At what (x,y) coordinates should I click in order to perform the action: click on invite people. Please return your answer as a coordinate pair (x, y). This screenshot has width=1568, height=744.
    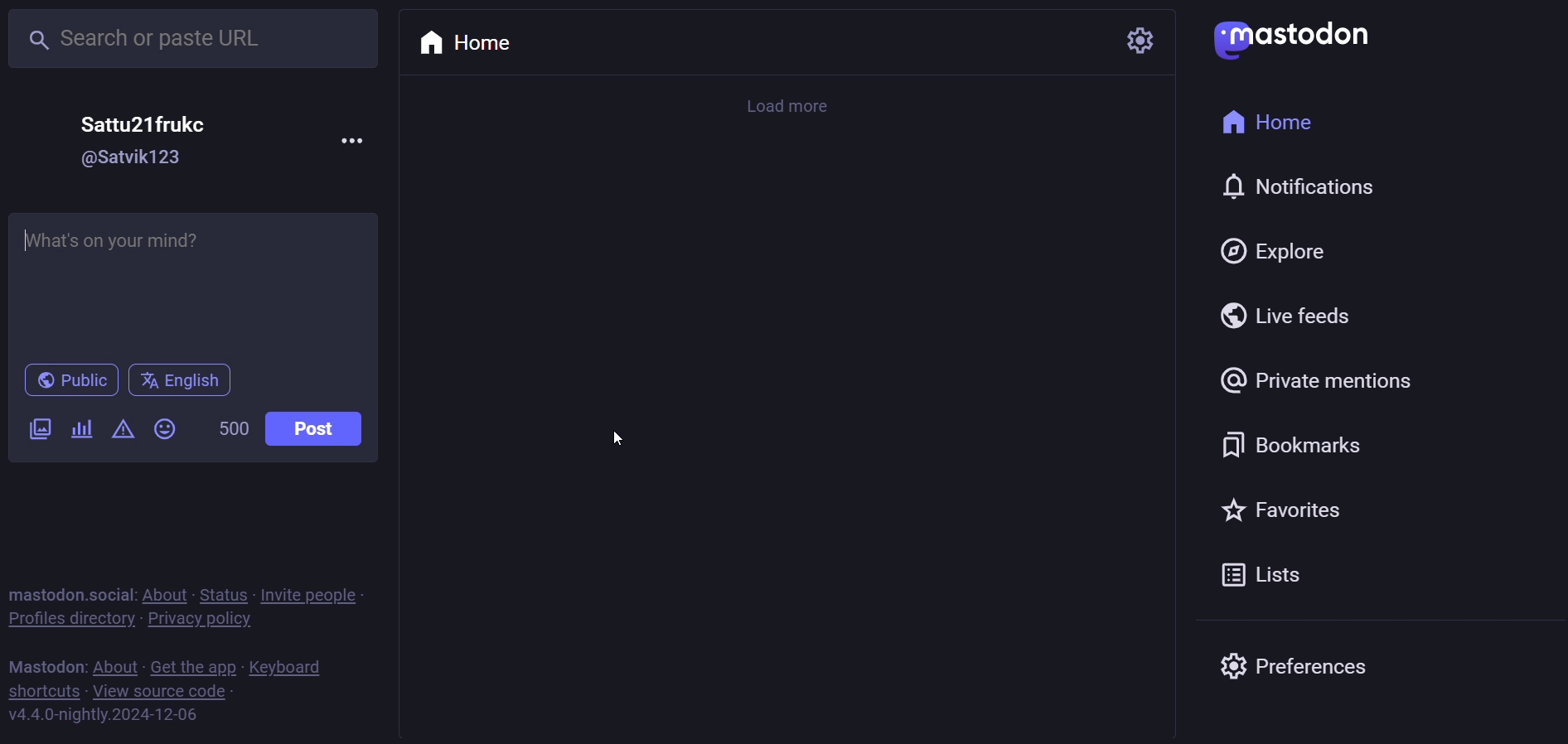
    Looking at the image, I should click on (311, 595).